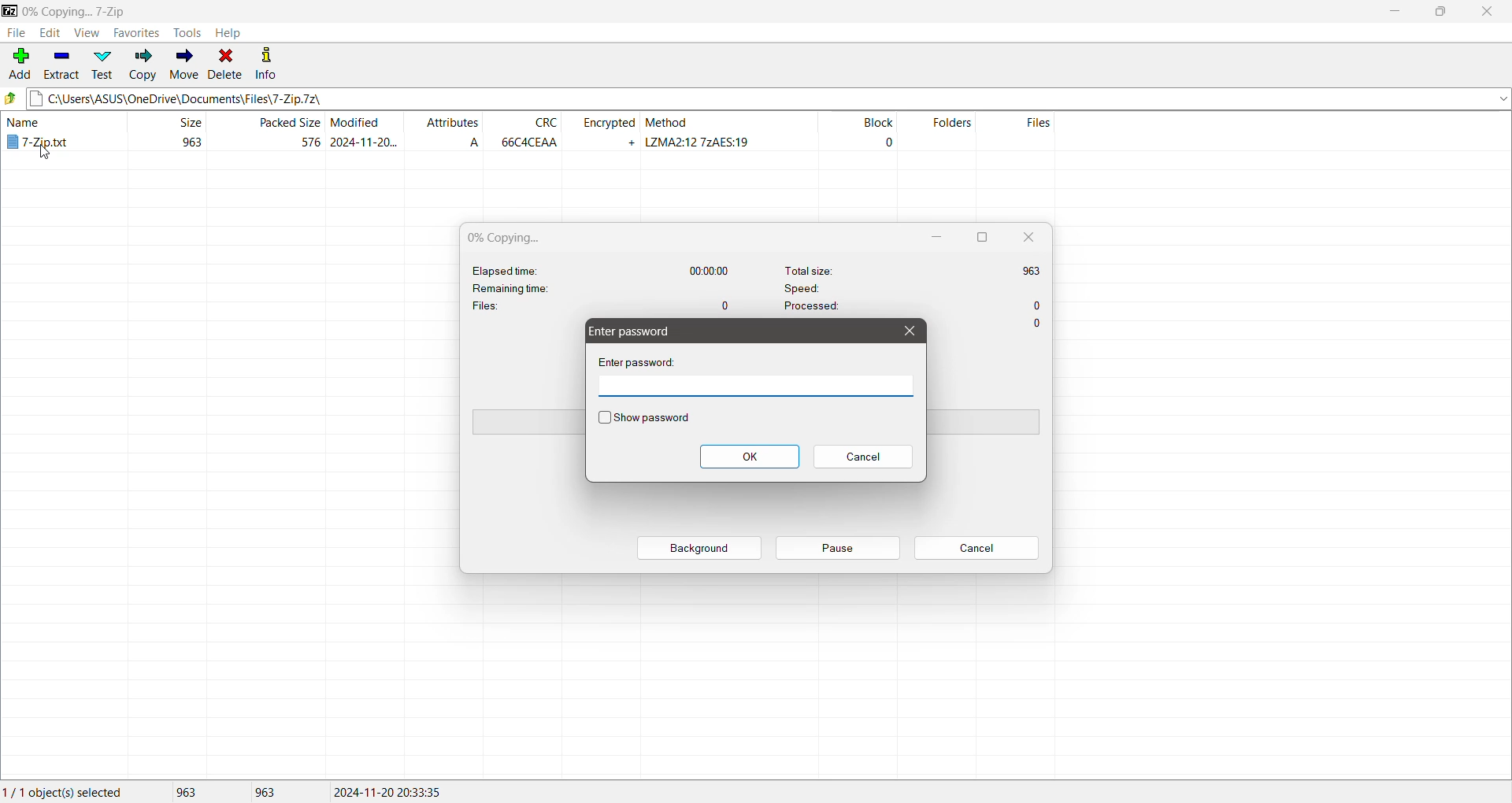 The height and width of the screenshot is (803, 1512). Describe the element at coordinates (51, 157) in the screenshot. I see `cursor` at that location.